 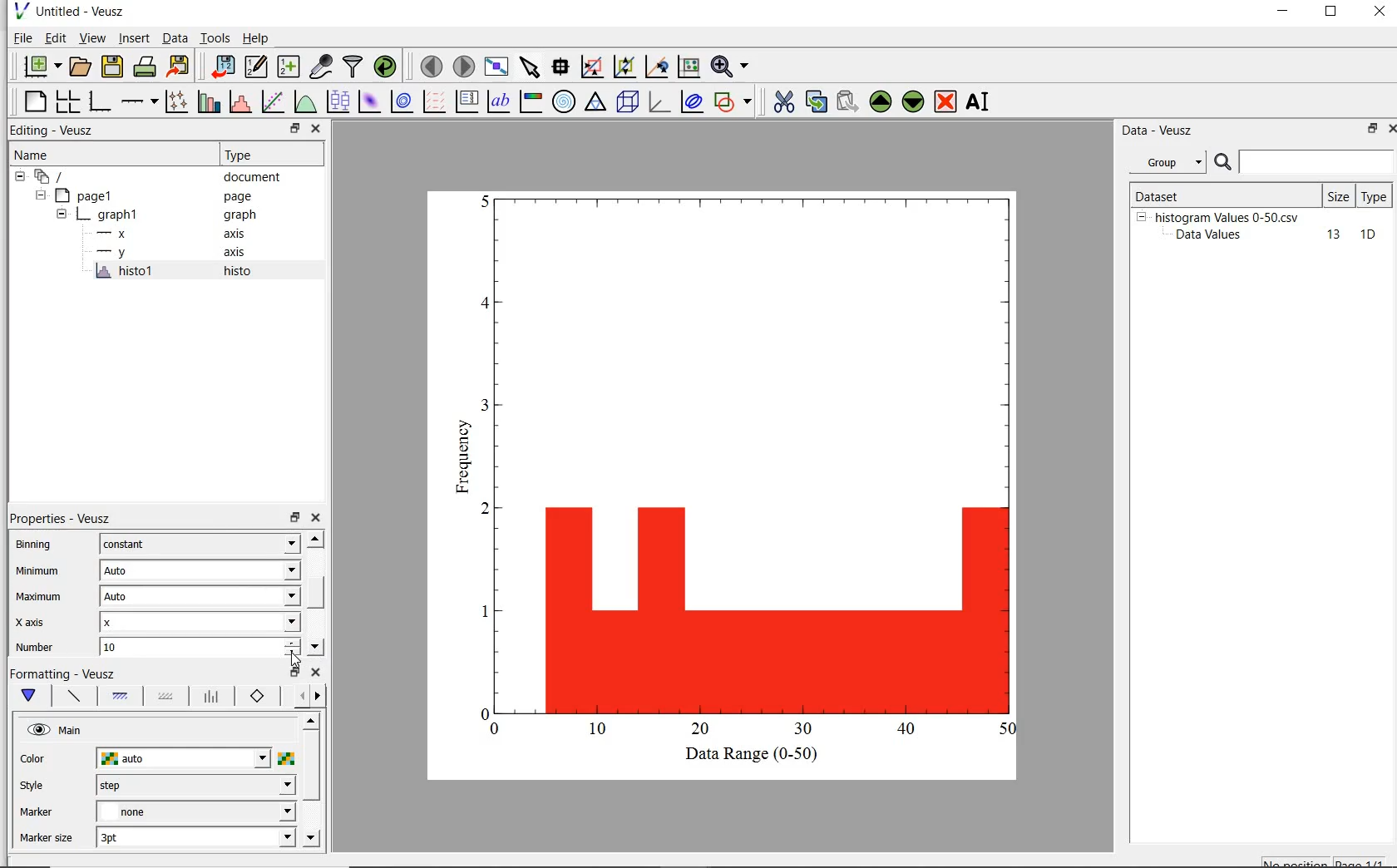 I want to click on close, so click(x=318, y=518).